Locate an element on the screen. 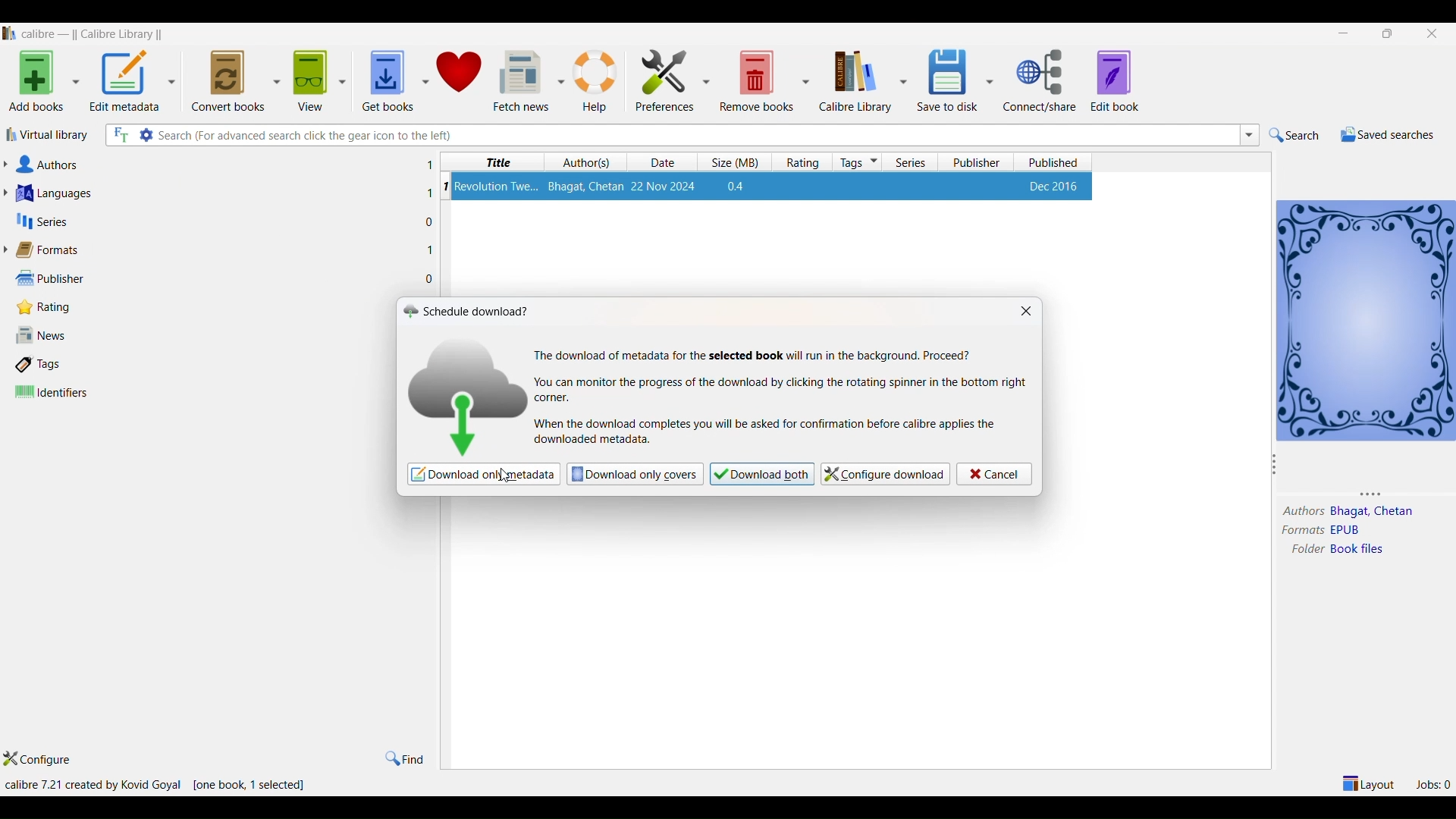 The width and height of the screenshot is (1456, 819). text is located at coordinates (780, 391).